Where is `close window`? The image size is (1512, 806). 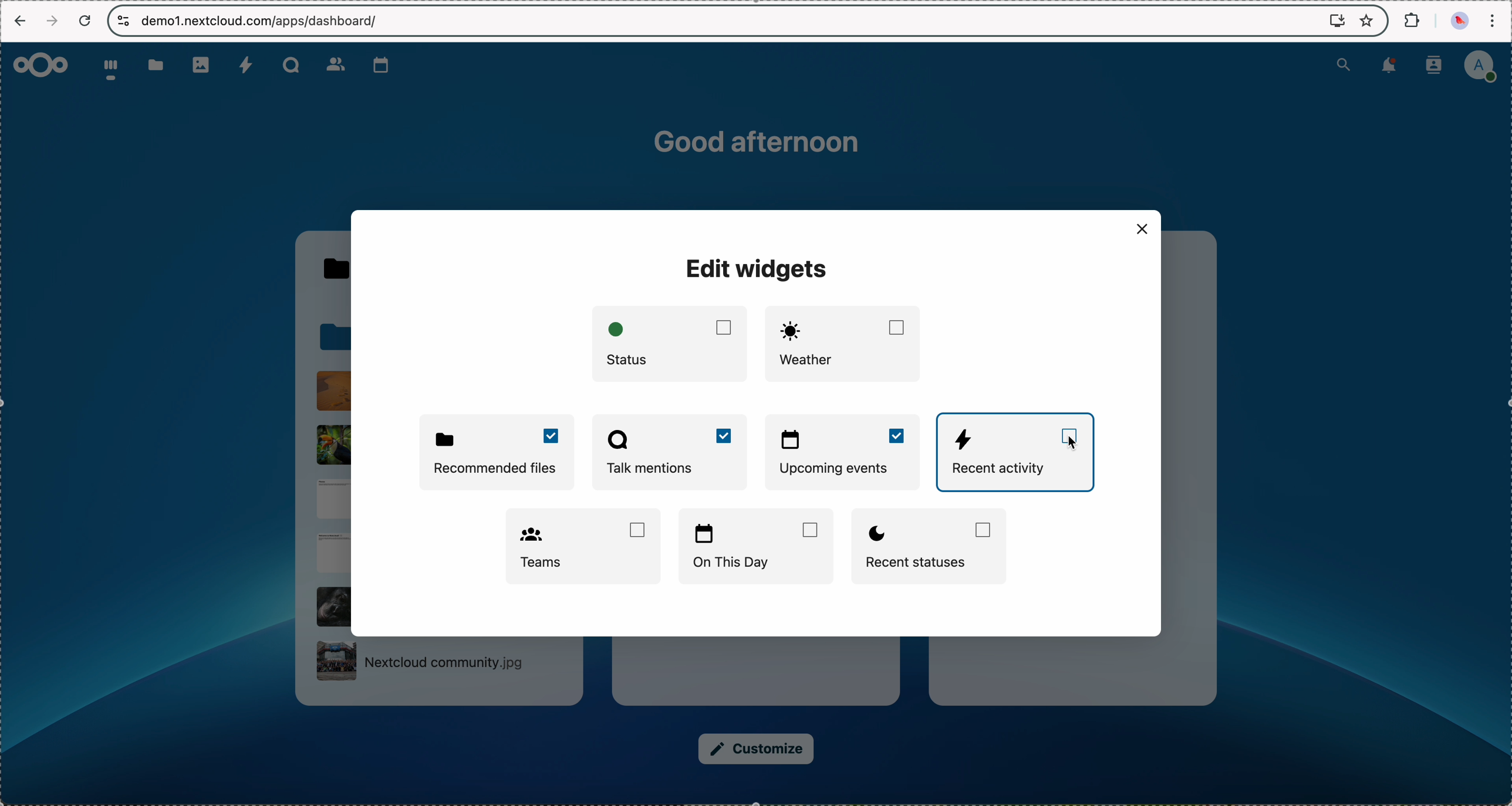
close window is located at coordinates (1142, 228).